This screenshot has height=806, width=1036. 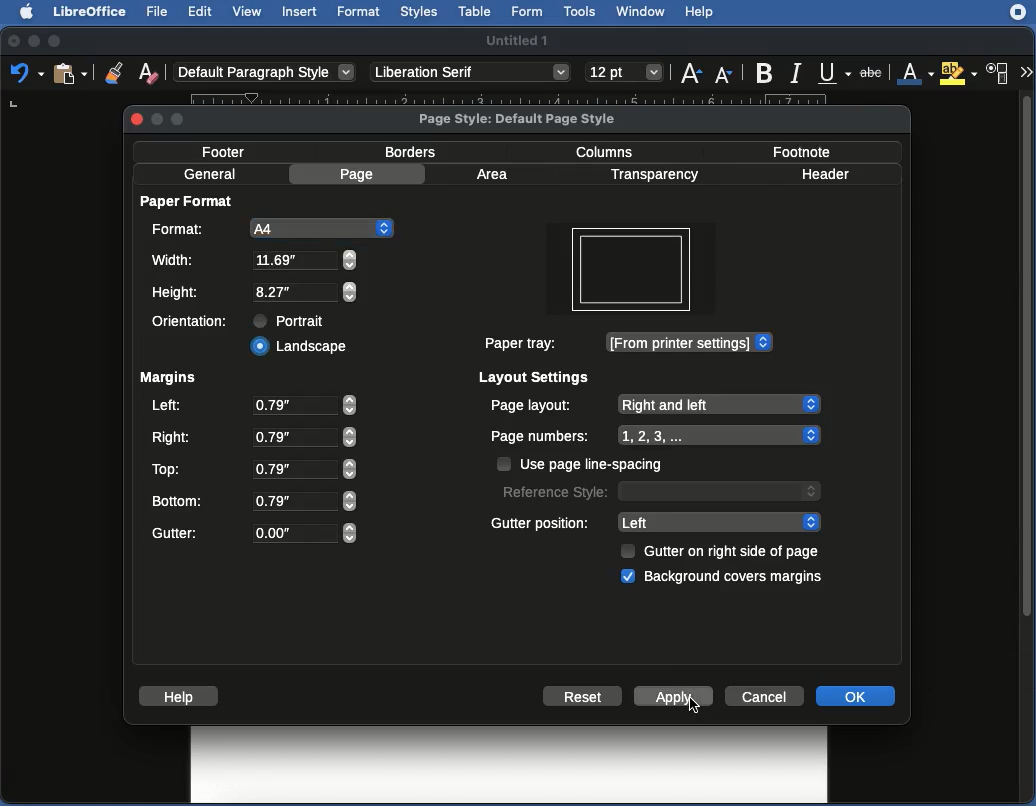 I want to click on Clone formatting, so click(x=113, y=72).